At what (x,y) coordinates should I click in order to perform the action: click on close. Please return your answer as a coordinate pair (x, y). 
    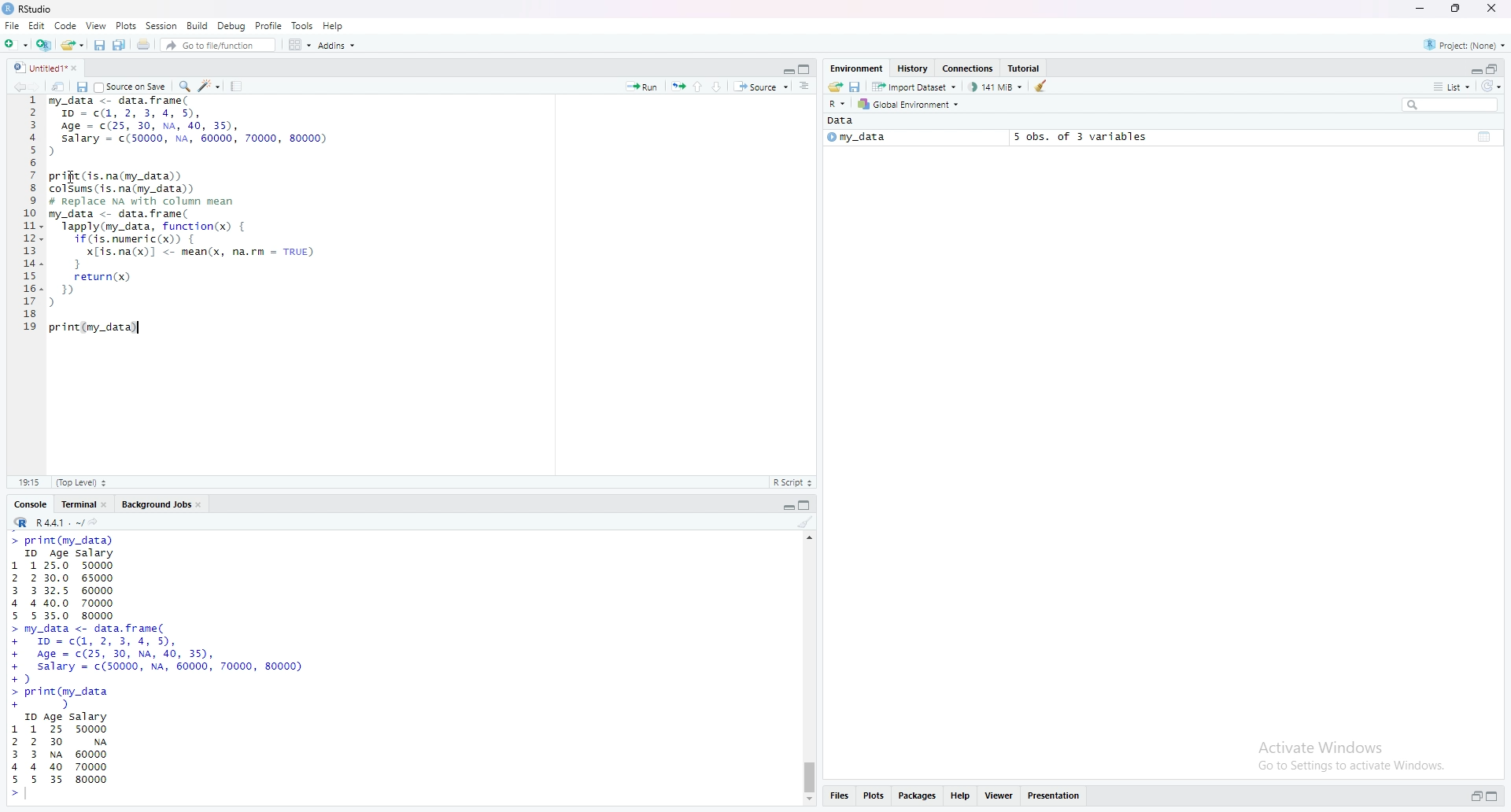
    Looking at the image, I should click on (1494, 8).